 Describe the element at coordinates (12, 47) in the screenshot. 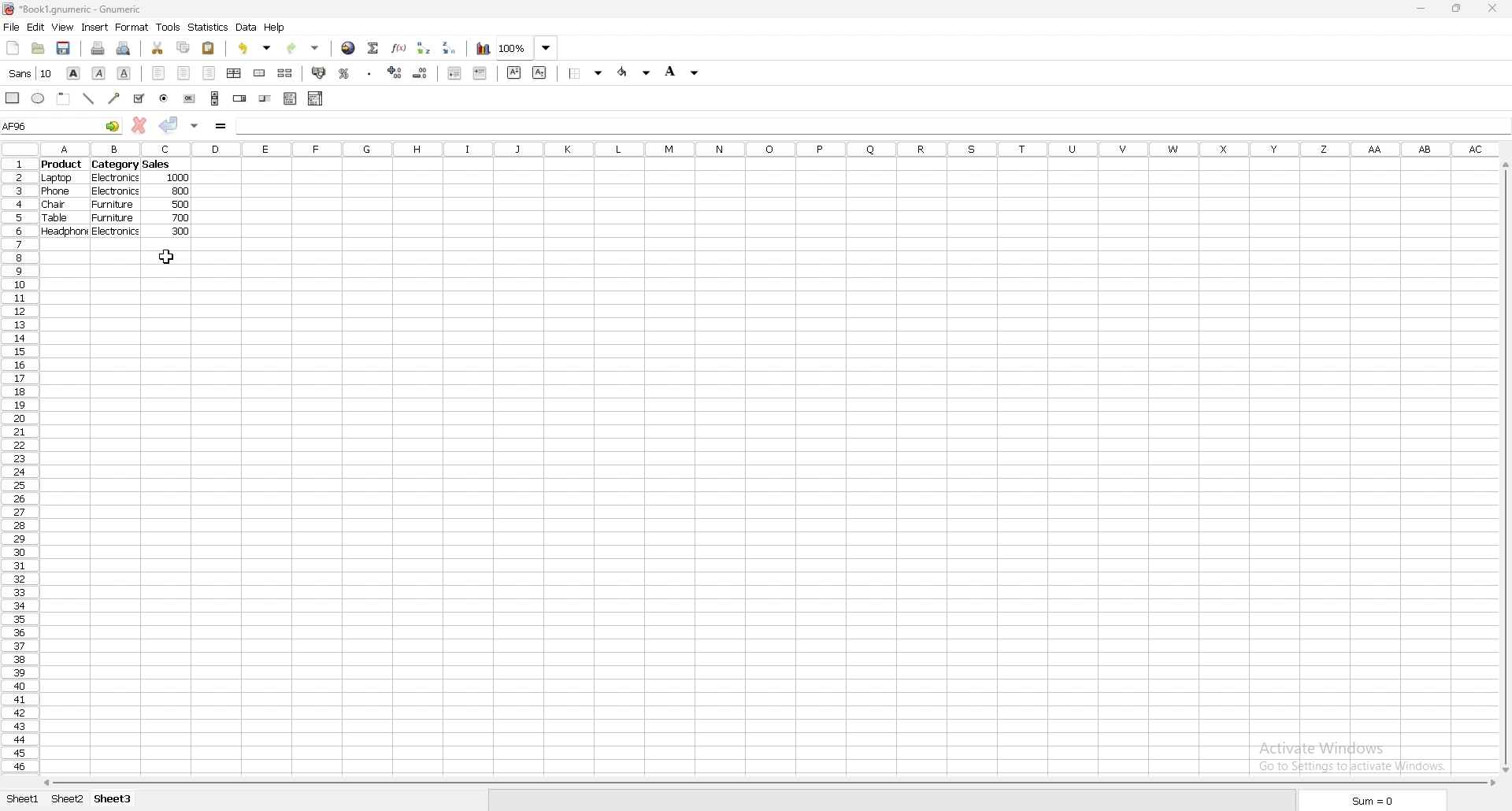

I see `new` at that location.